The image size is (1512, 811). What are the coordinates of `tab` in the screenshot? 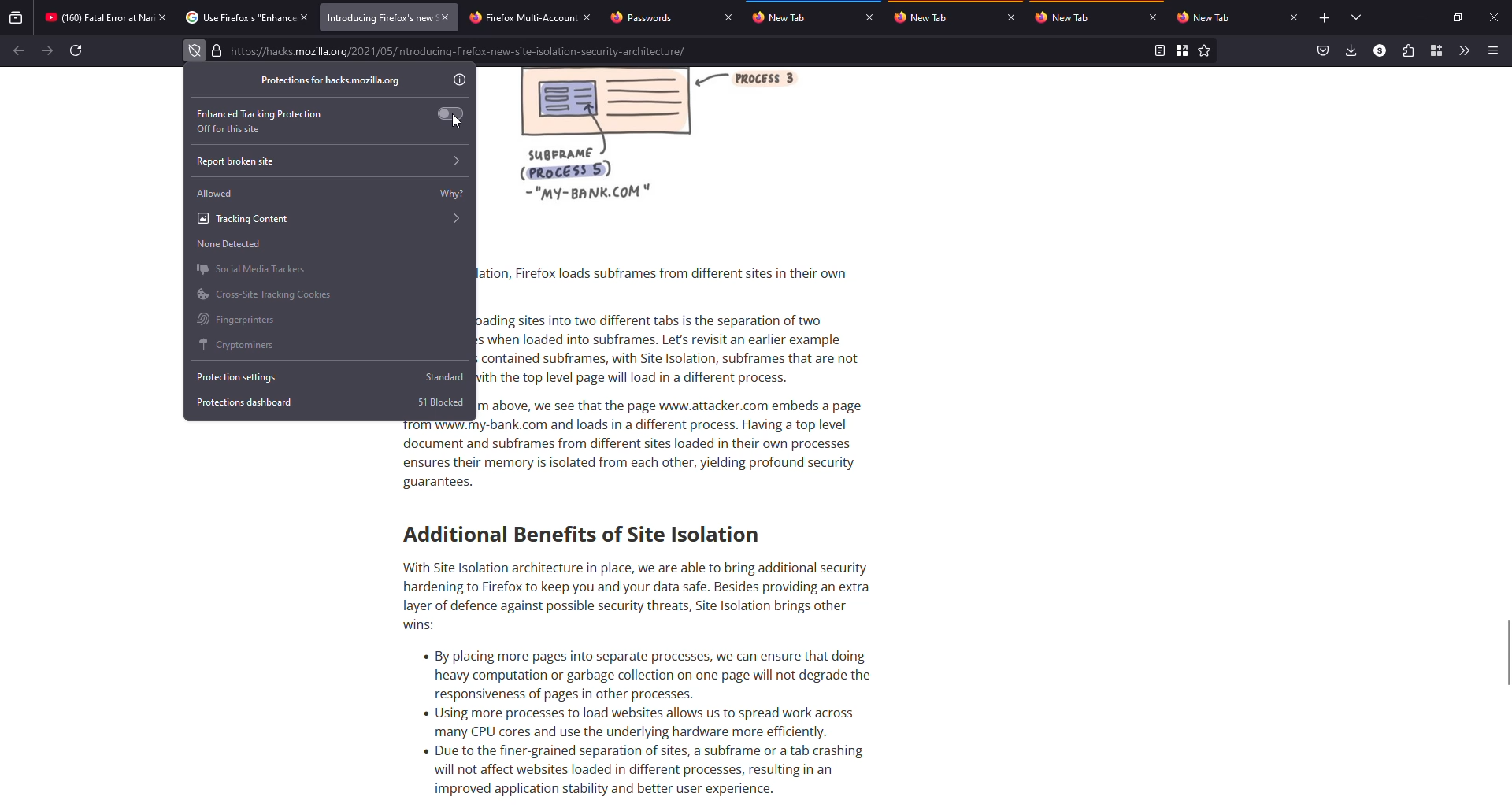 It's located at (1068, 17).